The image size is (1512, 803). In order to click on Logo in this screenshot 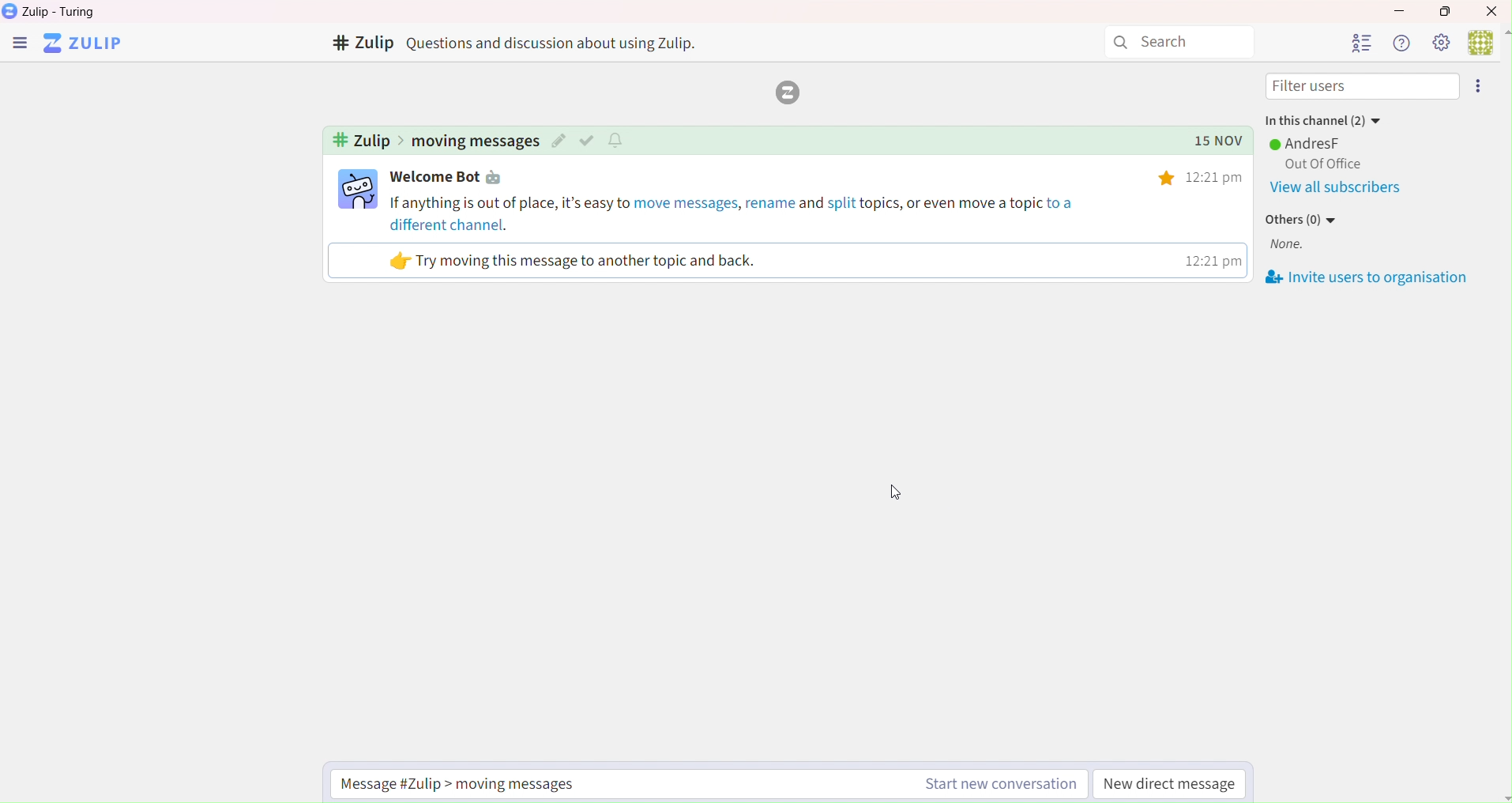, I will do `click(784, 93)`.